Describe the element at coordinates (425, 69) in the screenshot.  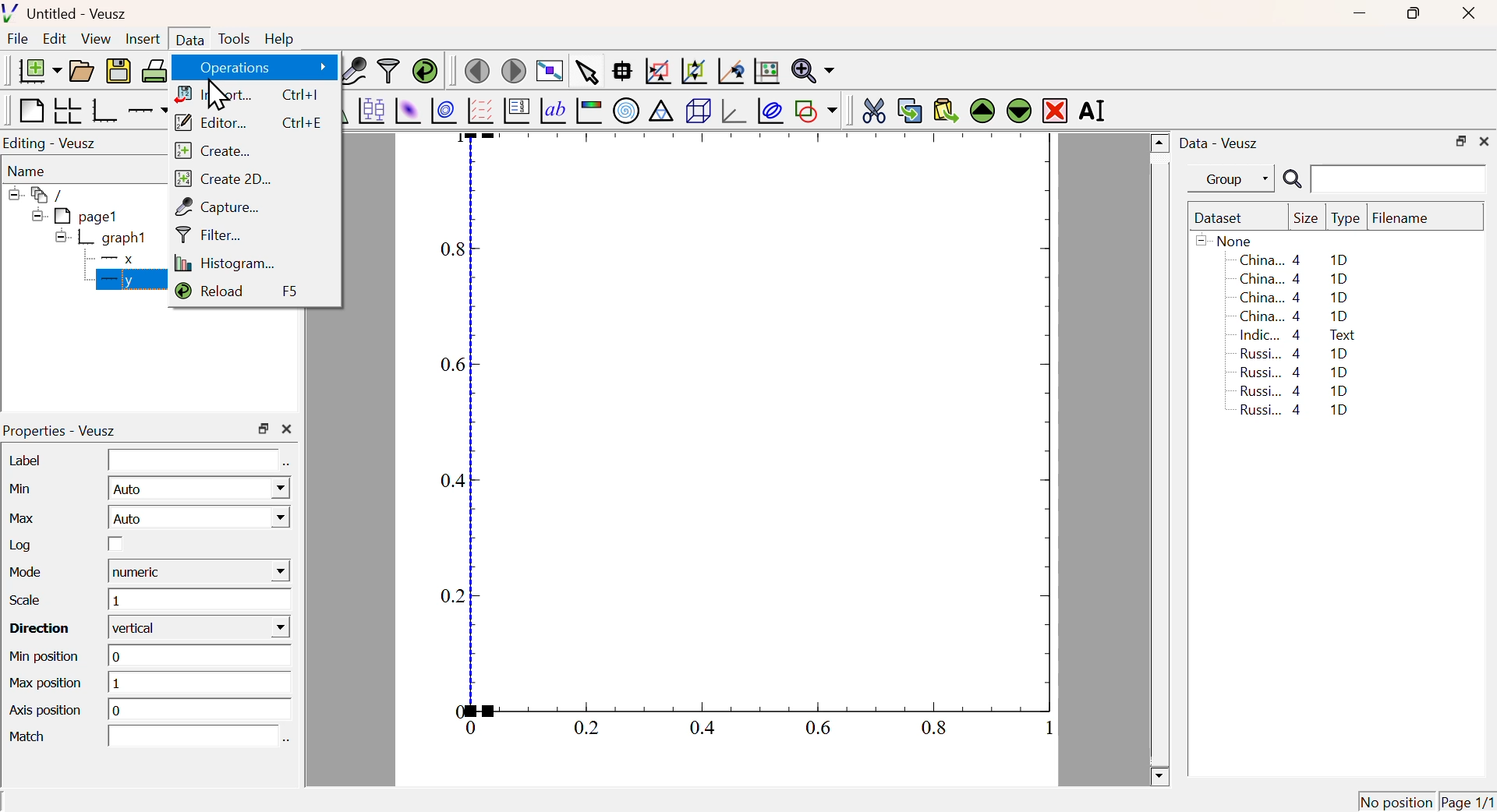
I see `Reload linked dataset` at that location.